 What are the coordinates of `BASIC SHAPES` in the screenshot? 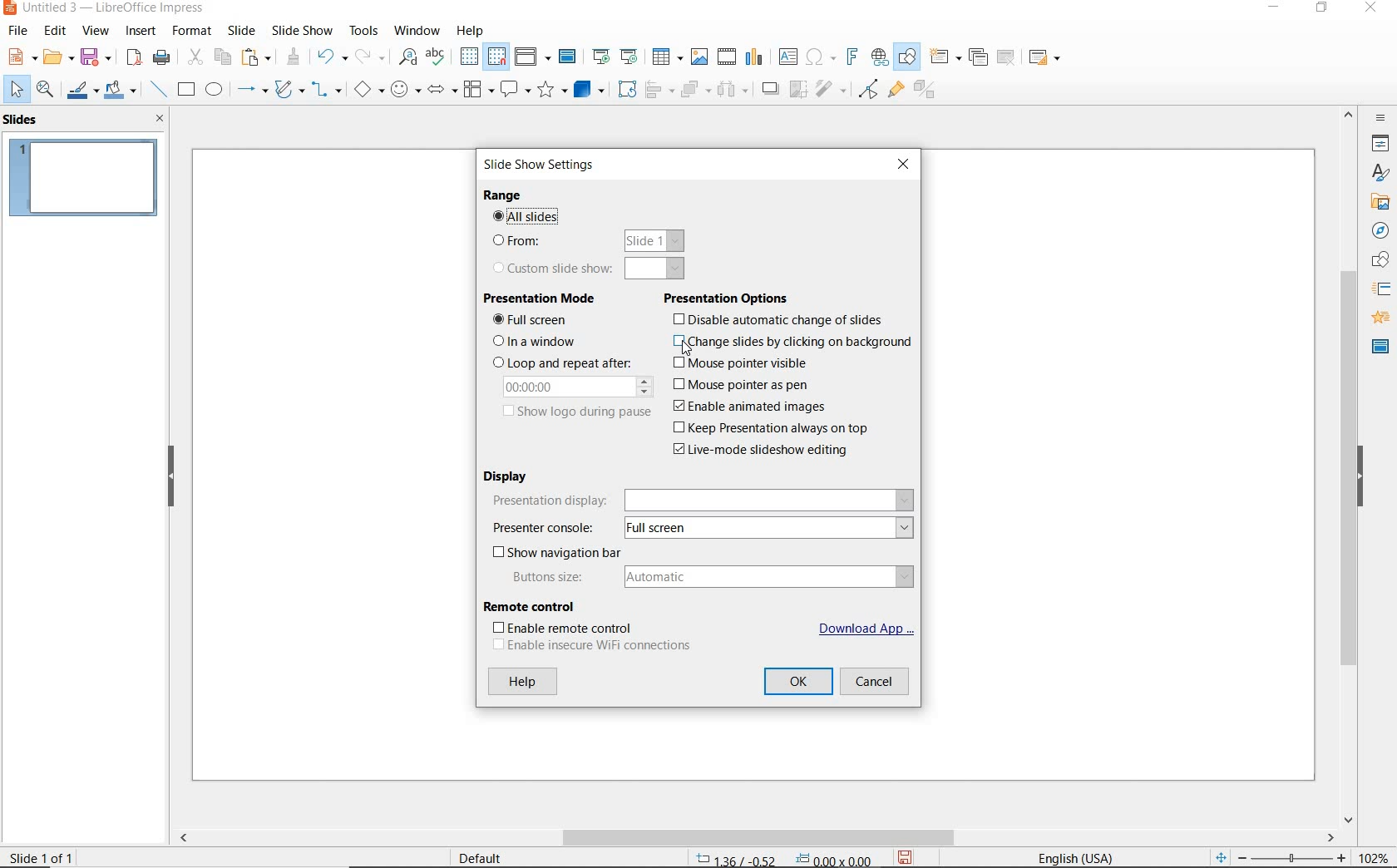 It's located at (368, 91).